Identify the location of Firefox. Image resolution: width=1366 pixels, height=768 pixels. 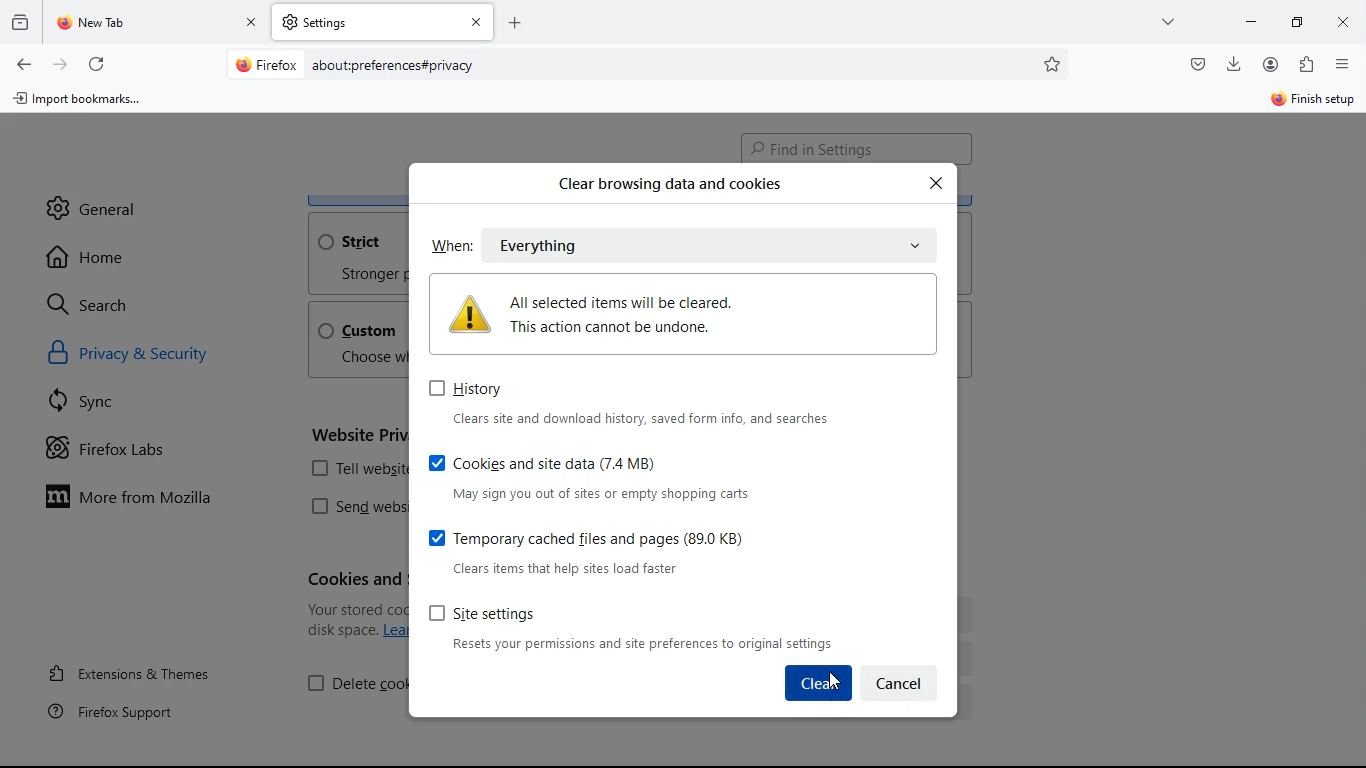
(267, 64).